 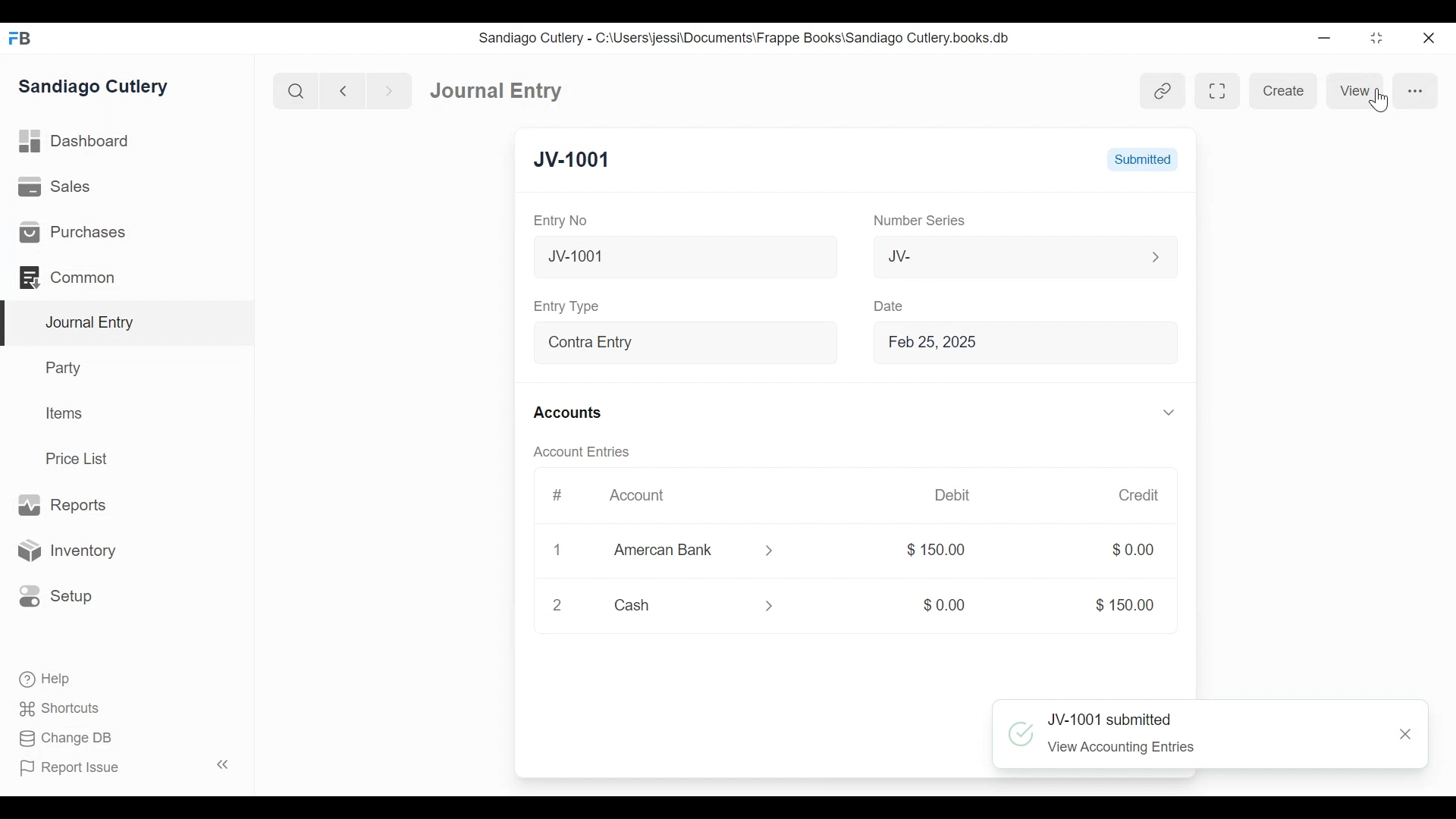 What do you see at coordinates (21, 39) in the screenshot?
I see `Frappe Books Desktop icon` at bounding box center [21, 39].